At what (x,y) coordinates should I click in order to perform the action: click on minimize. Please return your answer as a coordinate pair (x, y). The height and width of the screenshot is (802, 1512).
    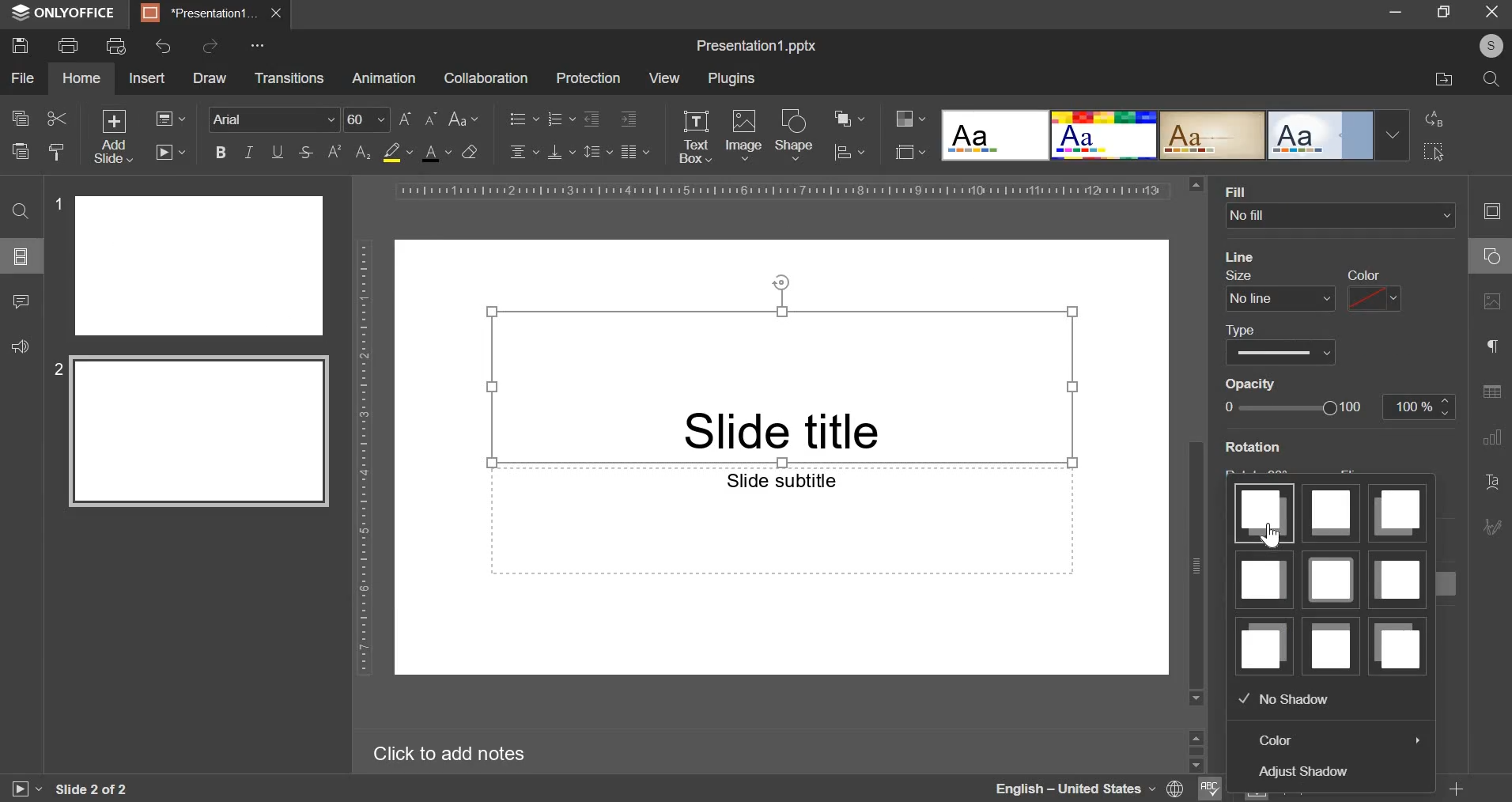
    Looking at the image, I should click on (1395, 10).